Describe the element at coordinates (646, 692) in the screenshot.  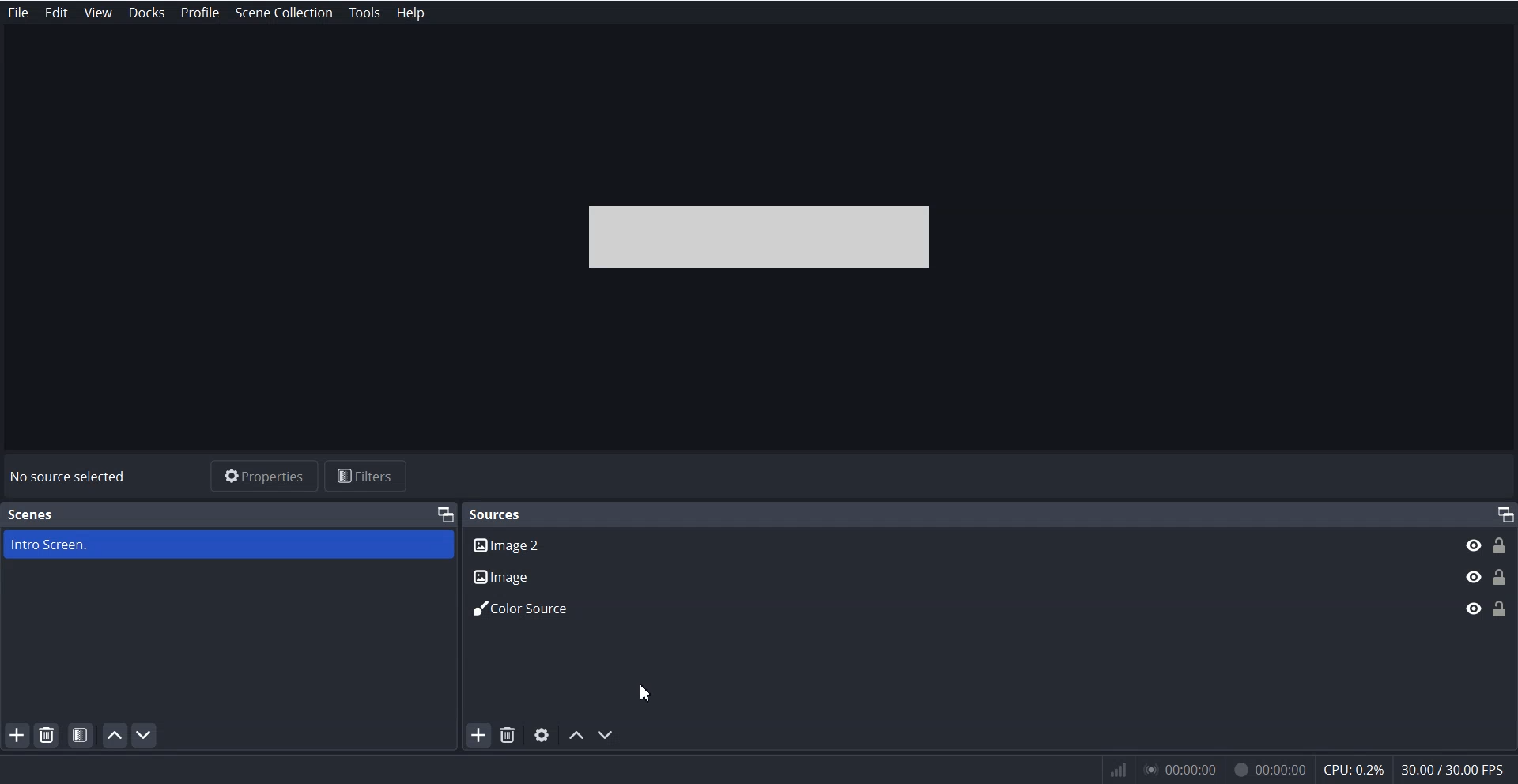
I see `Cursor` at that location.